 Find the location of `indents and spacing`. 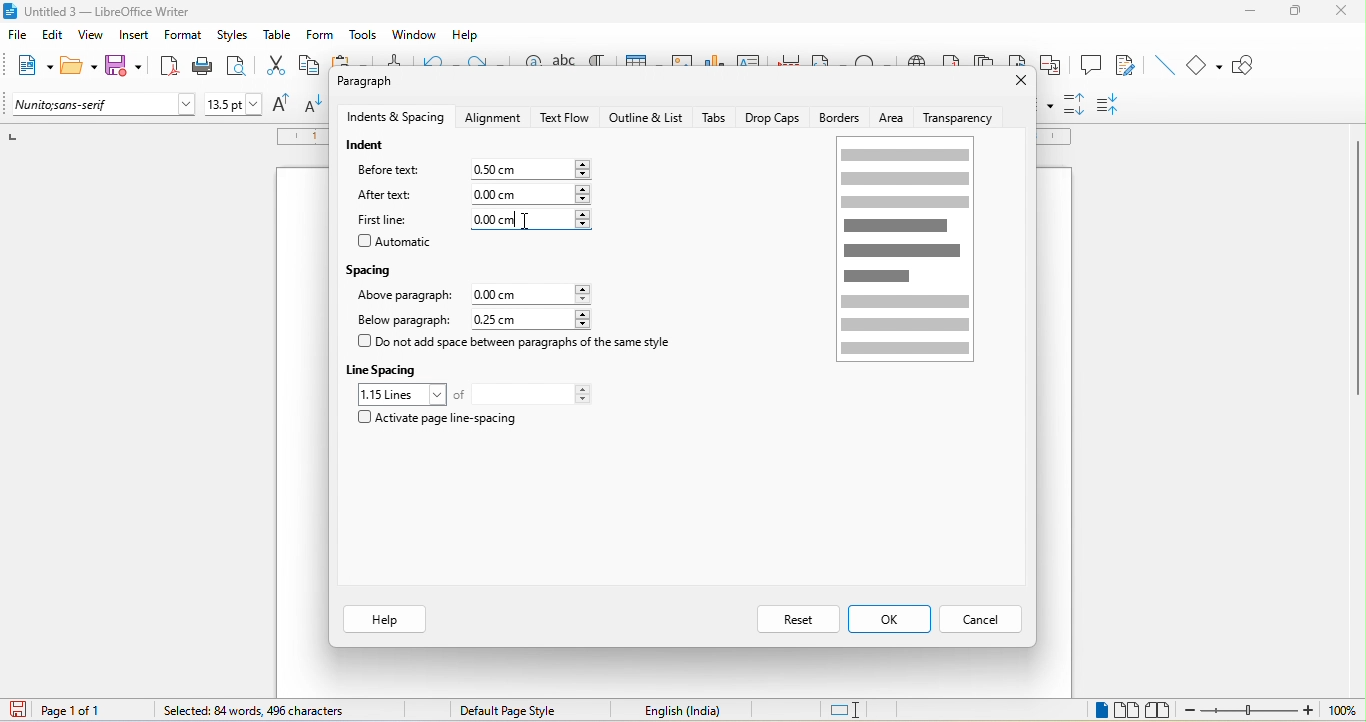

indents and spacing is located at coordinates (393, 118).